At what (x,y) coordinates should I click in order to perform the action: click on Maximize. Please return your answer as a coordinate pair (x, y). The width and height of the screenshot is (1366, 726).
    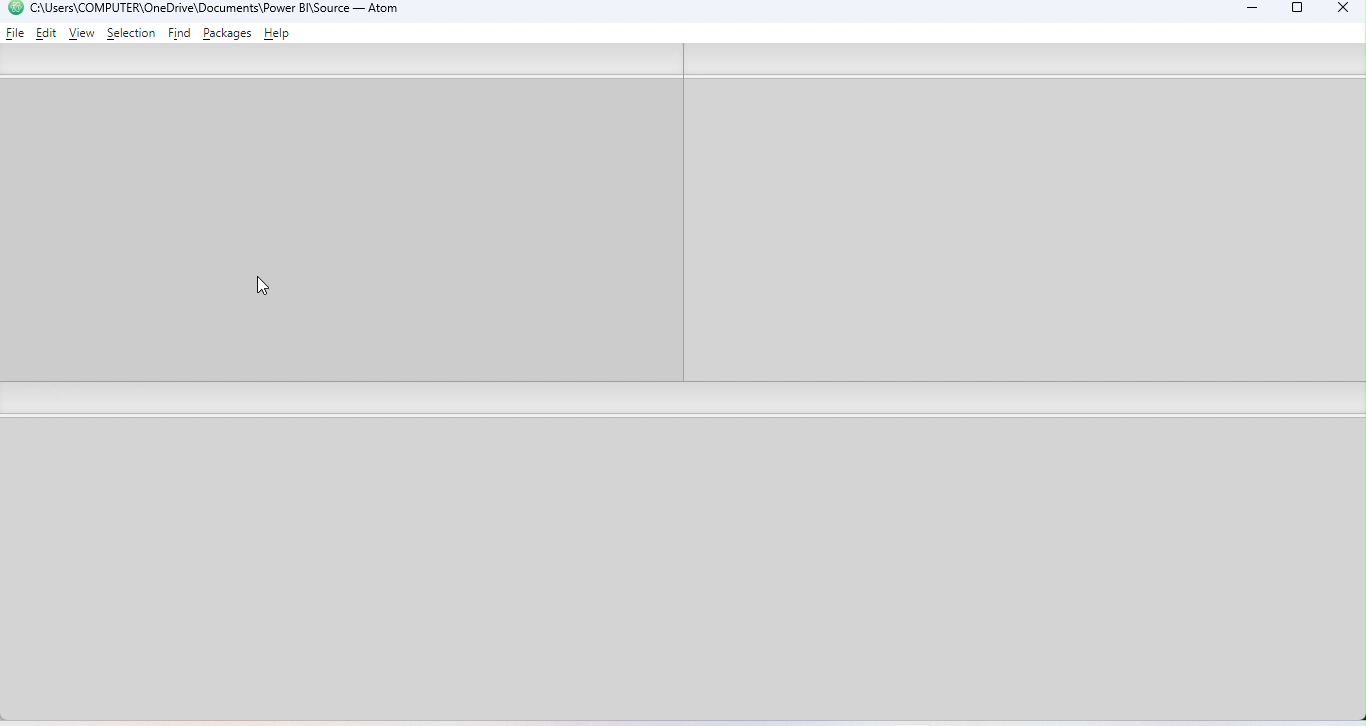
    Looking at the image, I should click on (1298, 11).